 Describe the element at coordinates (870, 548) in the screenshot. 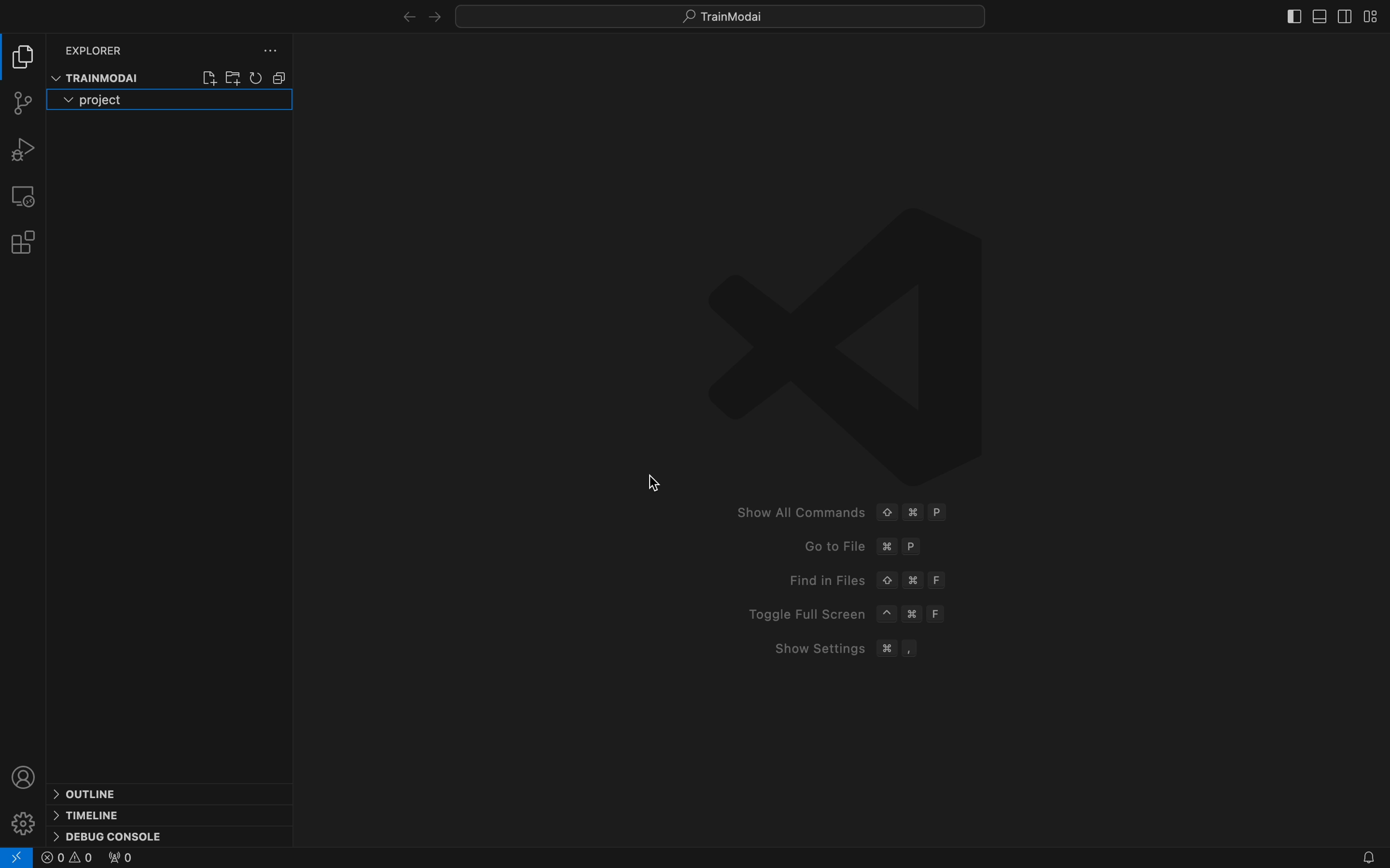

I see `Go to file` at that location.